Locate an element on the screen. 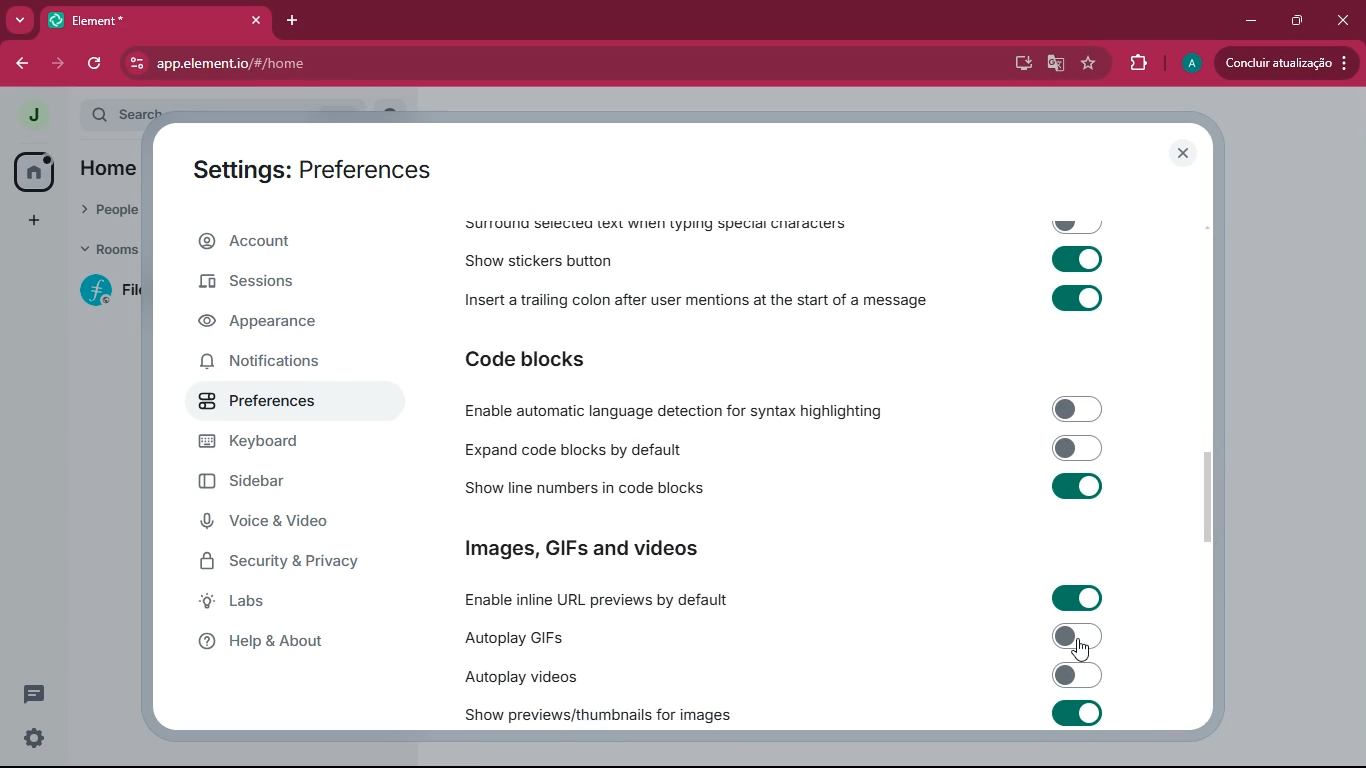  cursor is located at coordinates (1081, 650).